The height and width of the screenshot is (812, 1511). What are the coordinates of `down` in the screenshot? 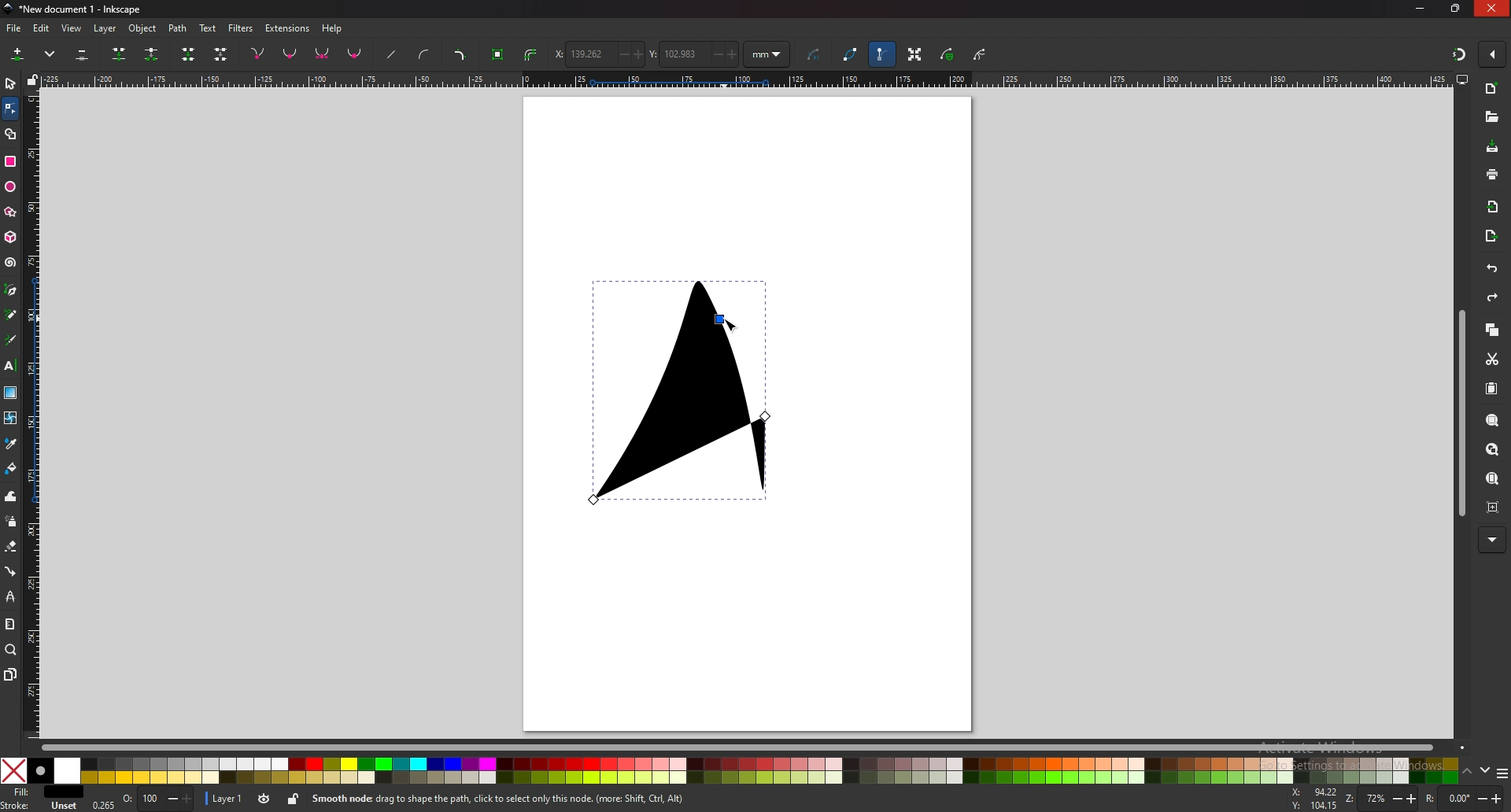 It's located at (1486, 771).